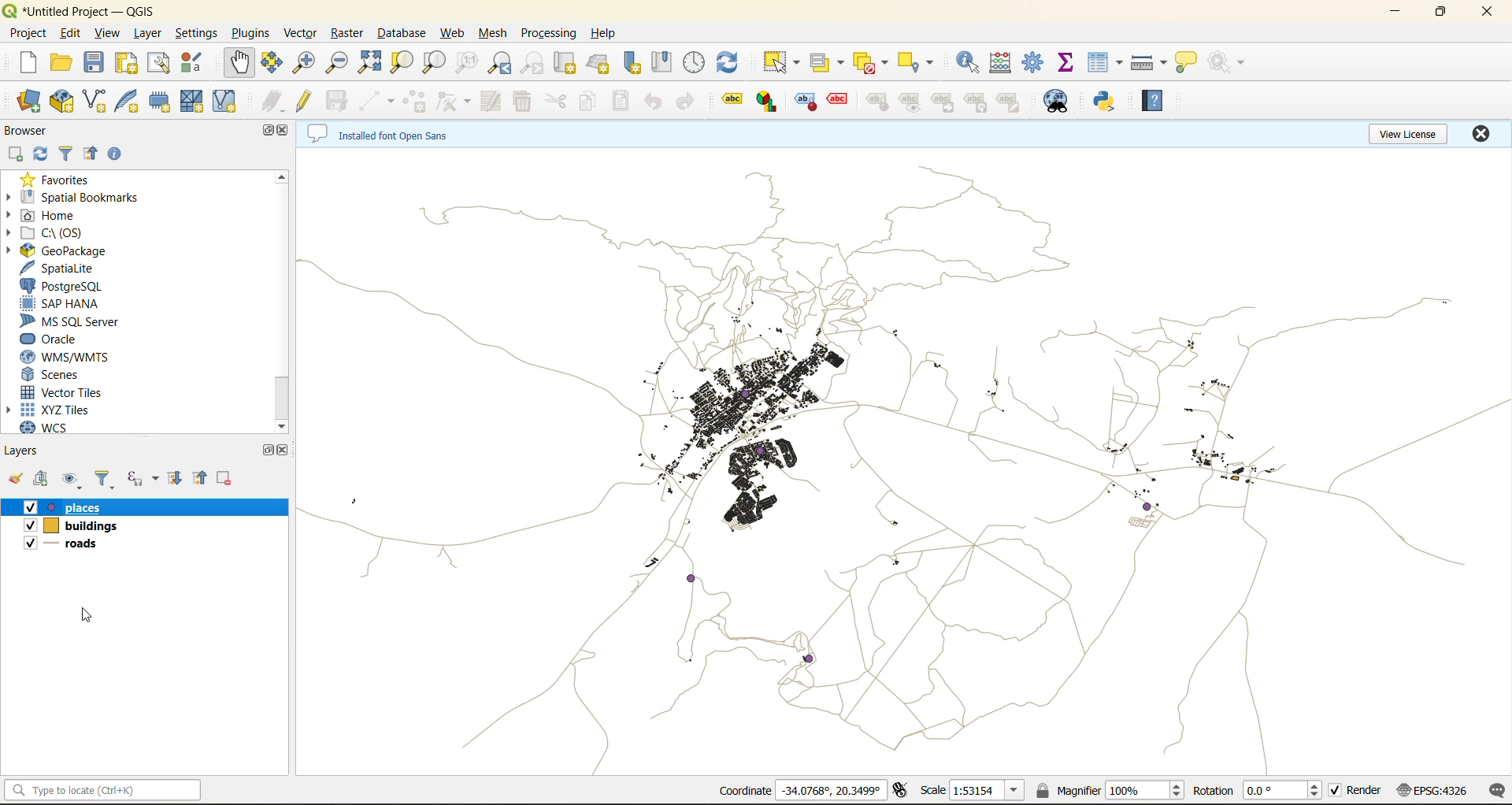 The height and width of the screenshot is (805, 1512). What do you see at coordinates (14, 155) in the screenshot?
I see `add` at bounding box center [14, 155].